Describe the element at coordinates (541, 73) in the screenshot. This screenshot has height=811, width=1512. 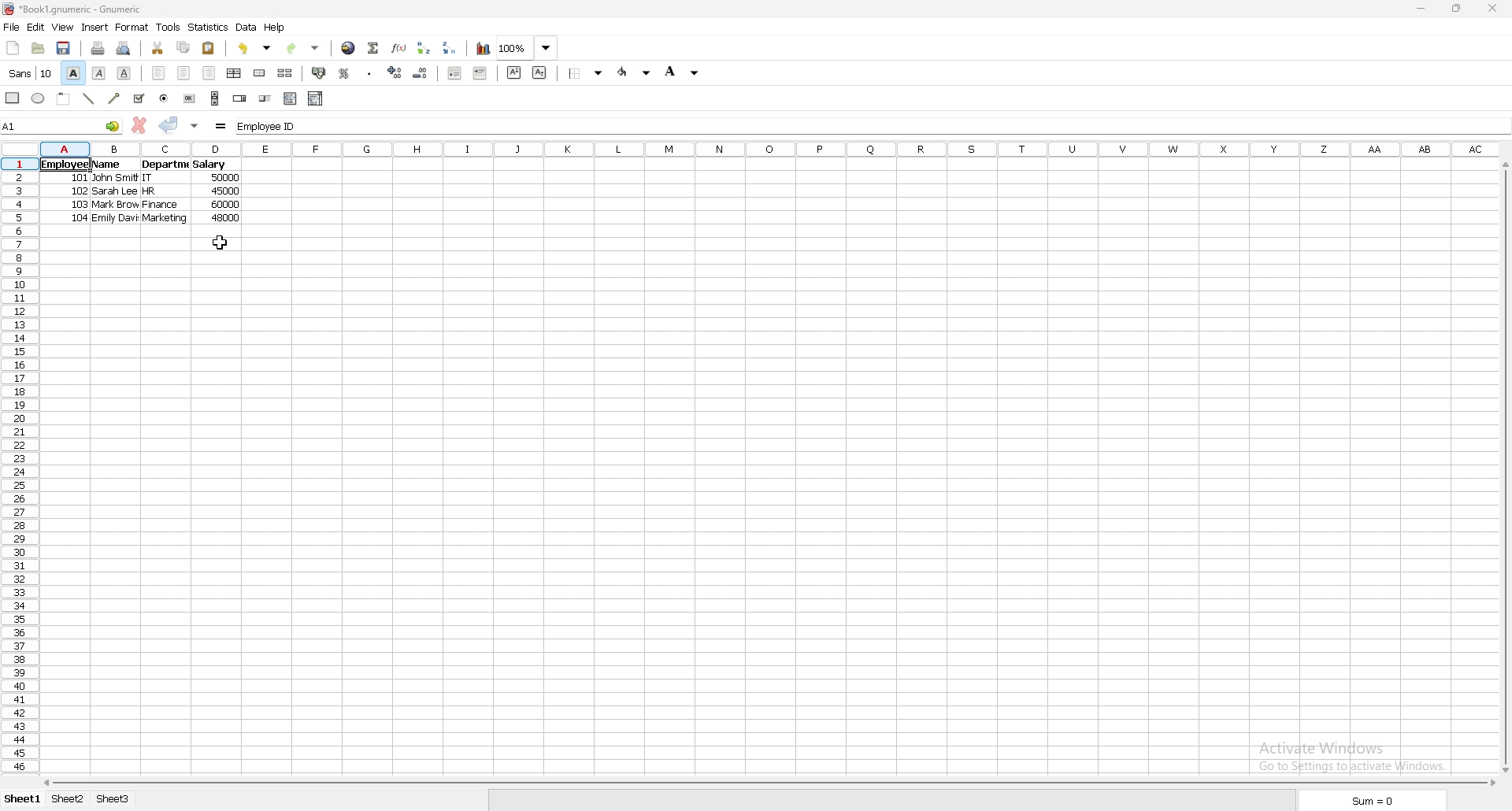
I see `subscript` at that location.